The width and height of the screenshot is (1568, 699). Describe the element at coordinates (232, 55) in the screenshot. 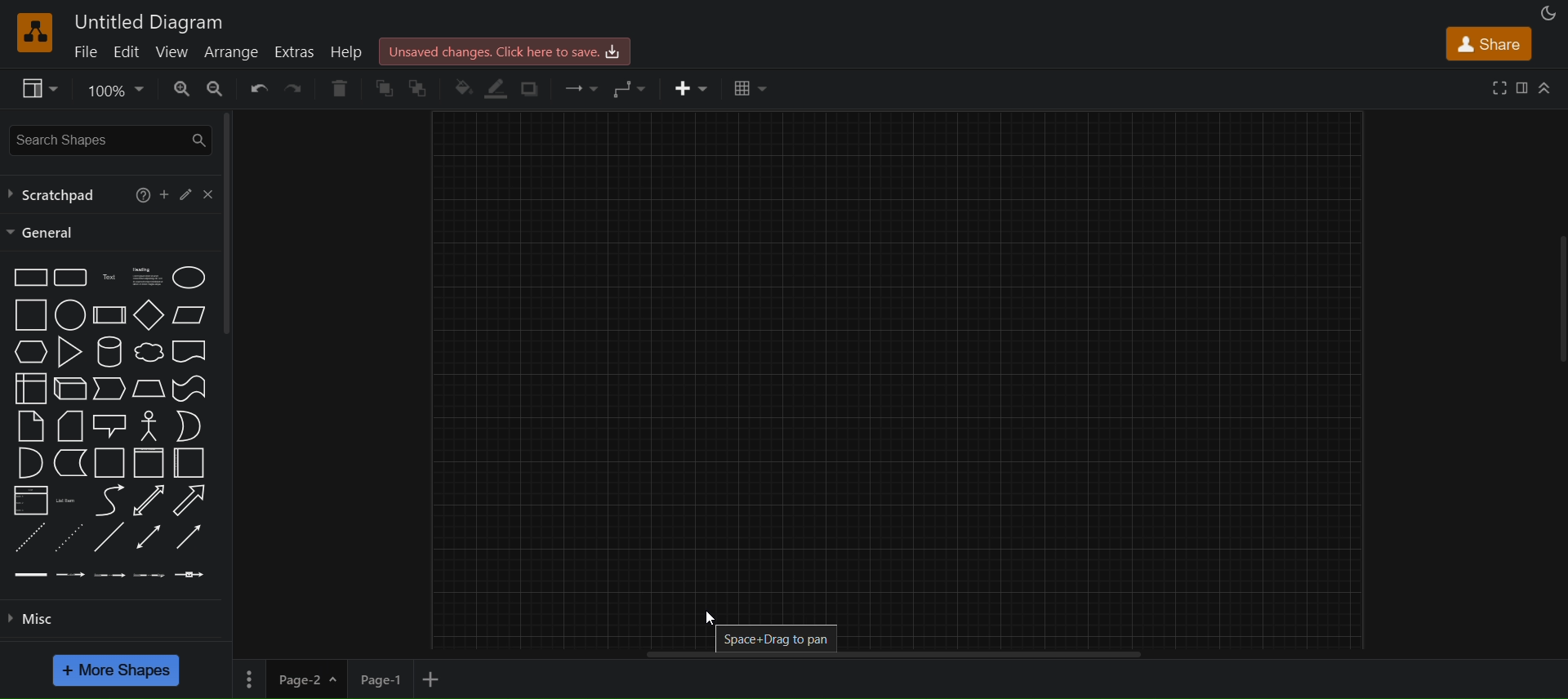

I see `arrange` at that location.